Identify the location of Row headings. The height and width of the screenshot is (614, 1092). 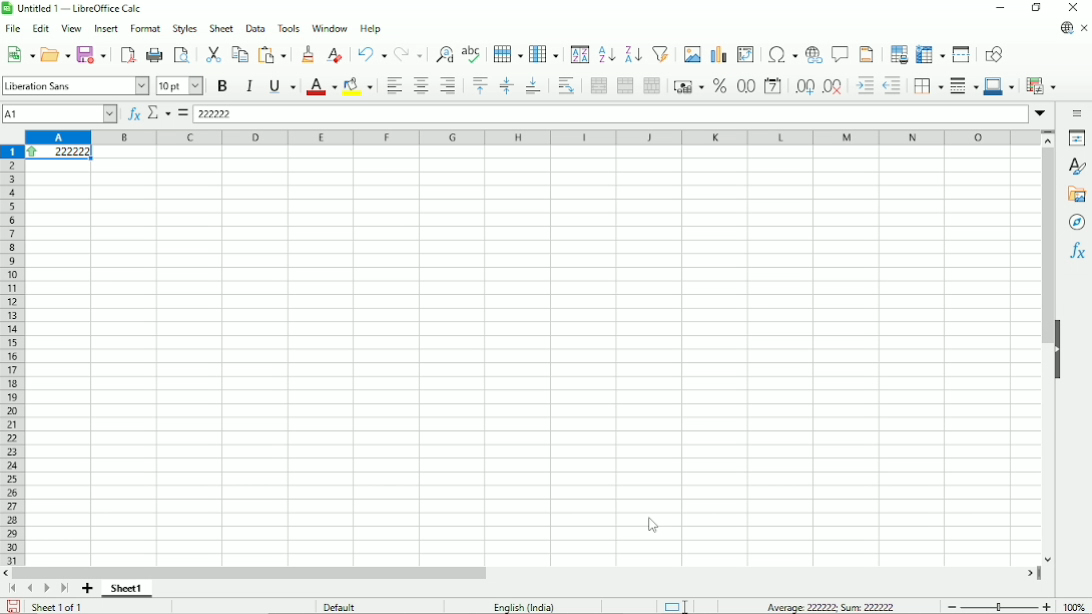
(12, 355).